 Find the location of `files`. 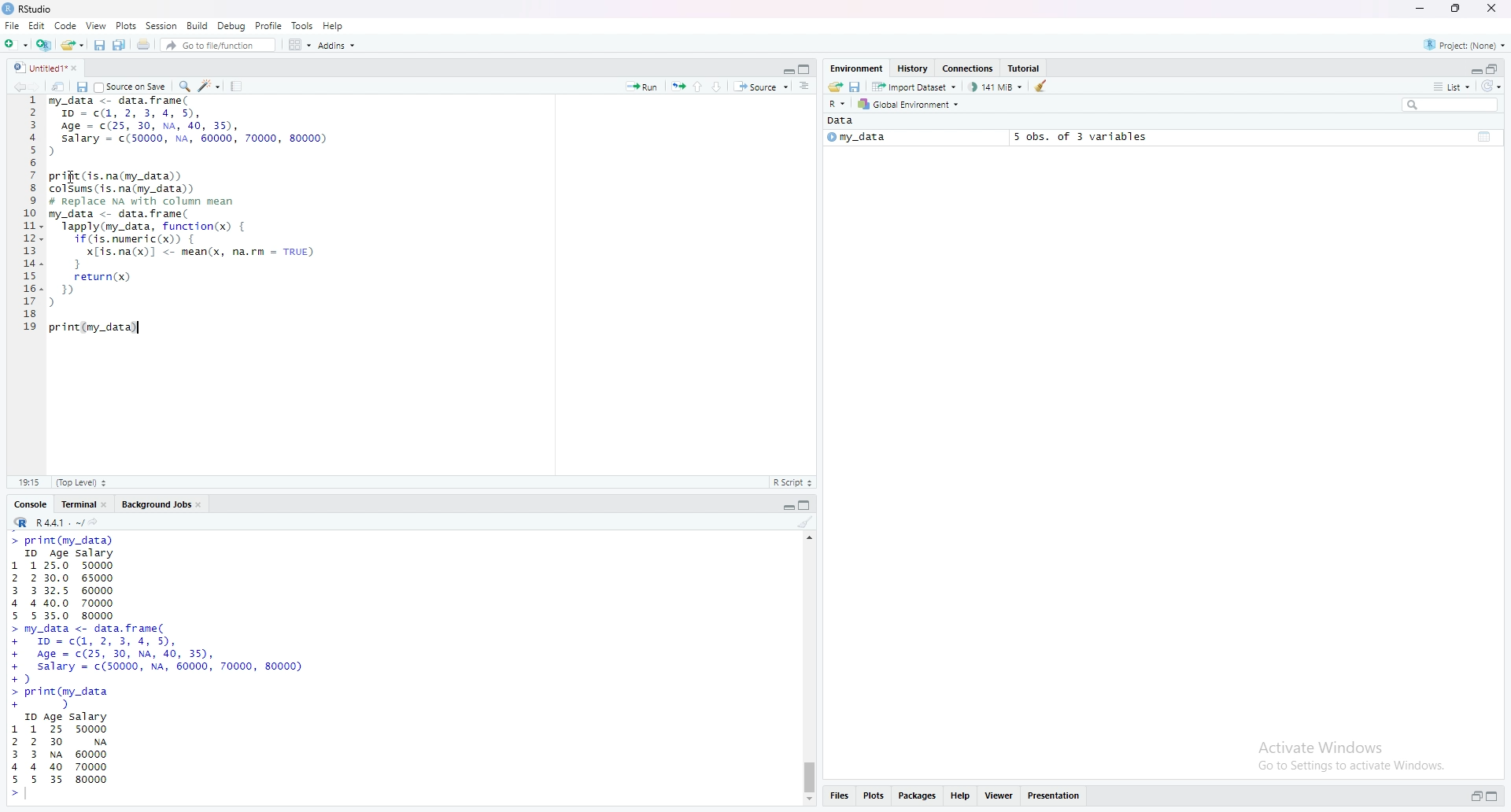

files is located at coordinates (838, 796).